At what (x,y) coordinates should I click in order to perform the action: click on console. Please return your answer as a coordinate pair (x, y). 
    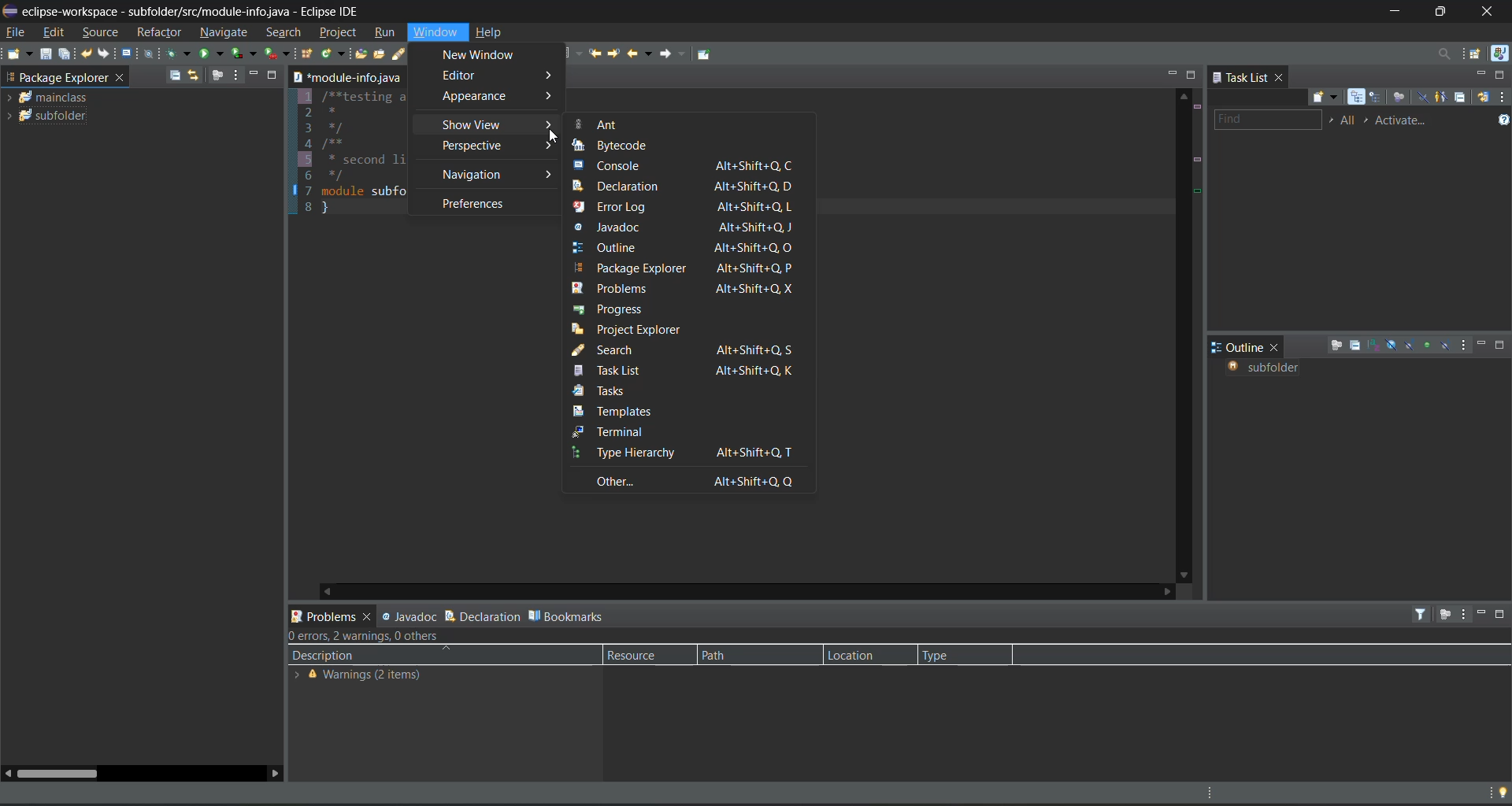
    Looking at the image, I should click on (684, 166).